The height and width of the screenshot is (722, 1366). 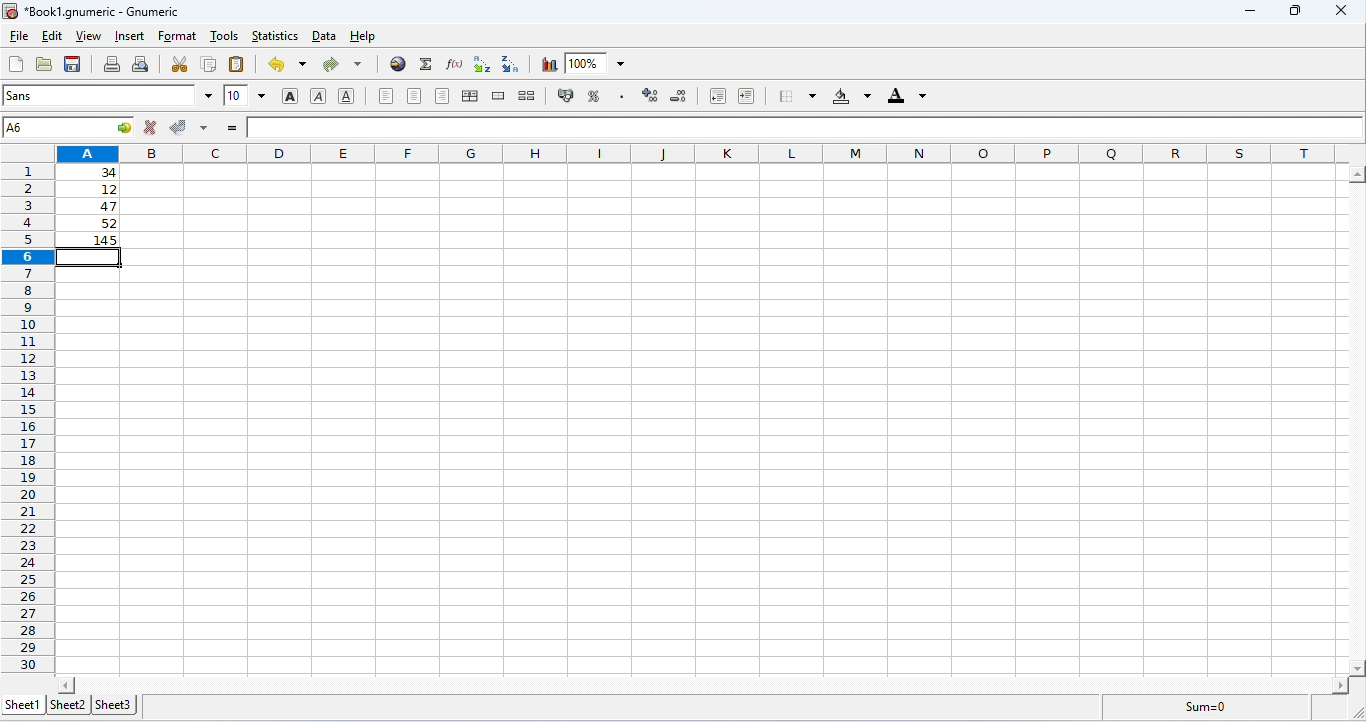 I want to click on row numbers, so click(x=28, y=419).